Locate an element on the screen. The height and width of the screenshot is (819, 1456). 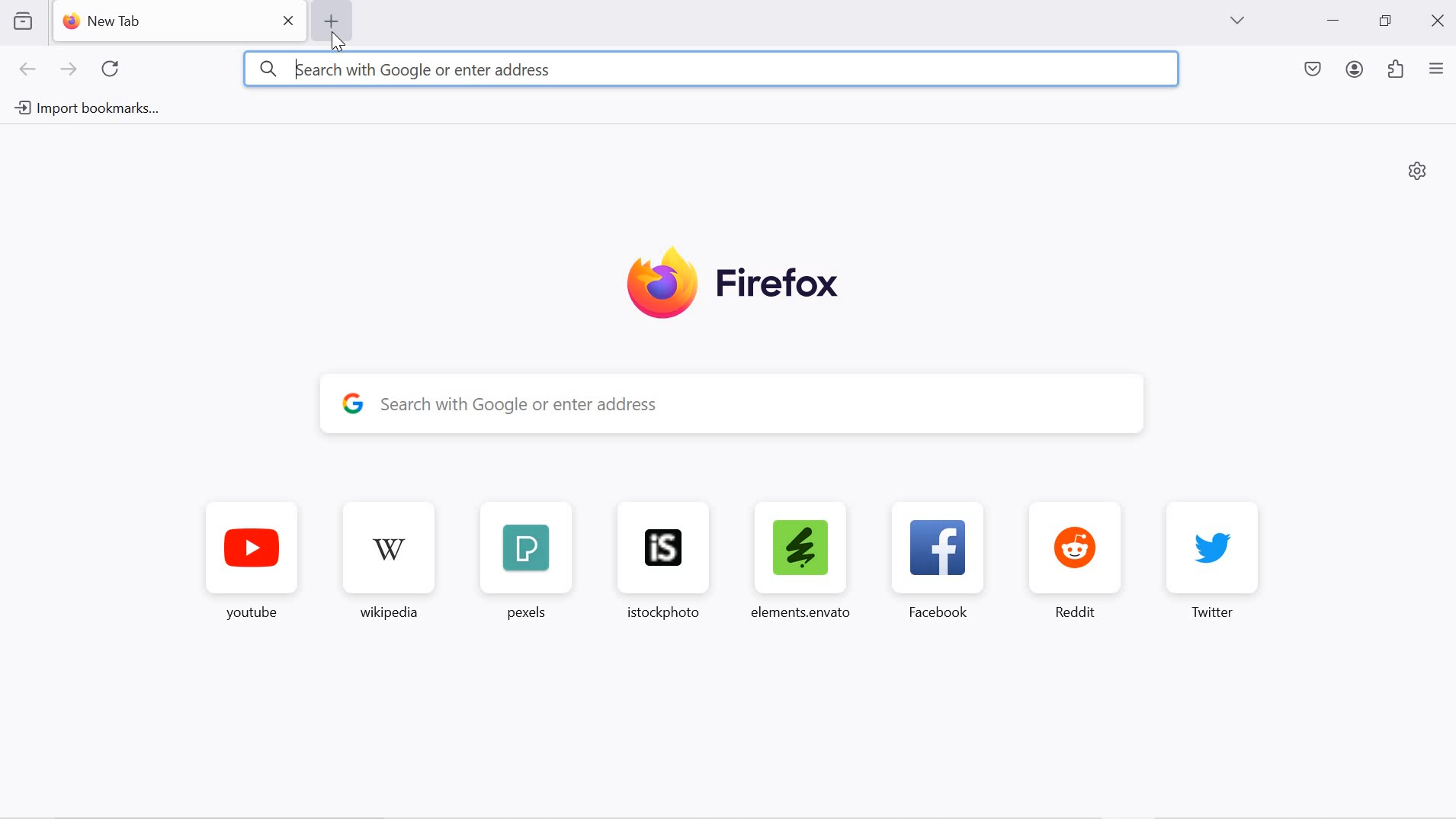
view recent browsing across devices and windows is located at coordinates (22, 21).